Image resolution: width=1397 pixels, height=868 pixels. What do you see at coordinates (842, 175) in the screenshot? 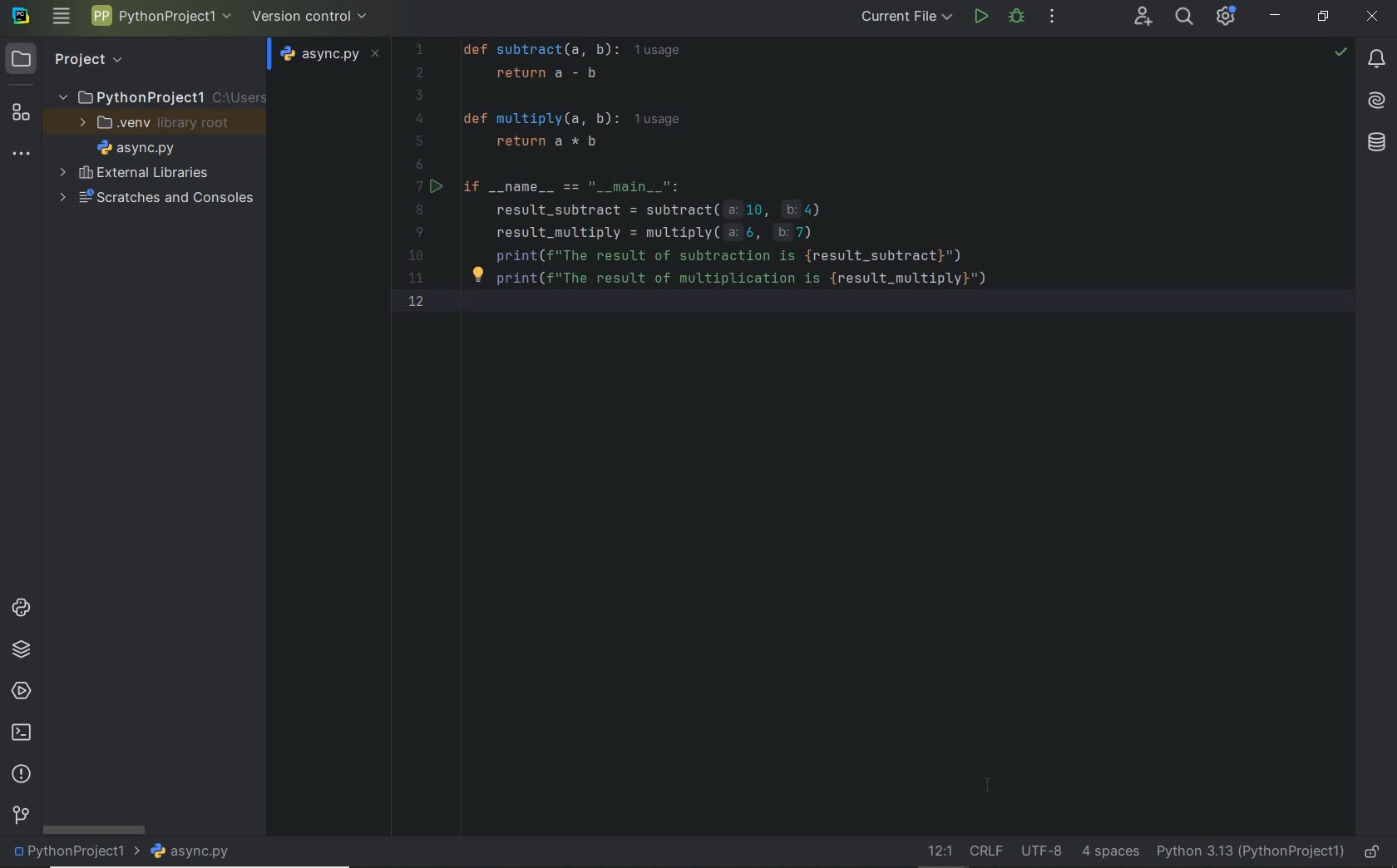
I see `Code for Subtraction Calculator` at bounding box center [842, 175].